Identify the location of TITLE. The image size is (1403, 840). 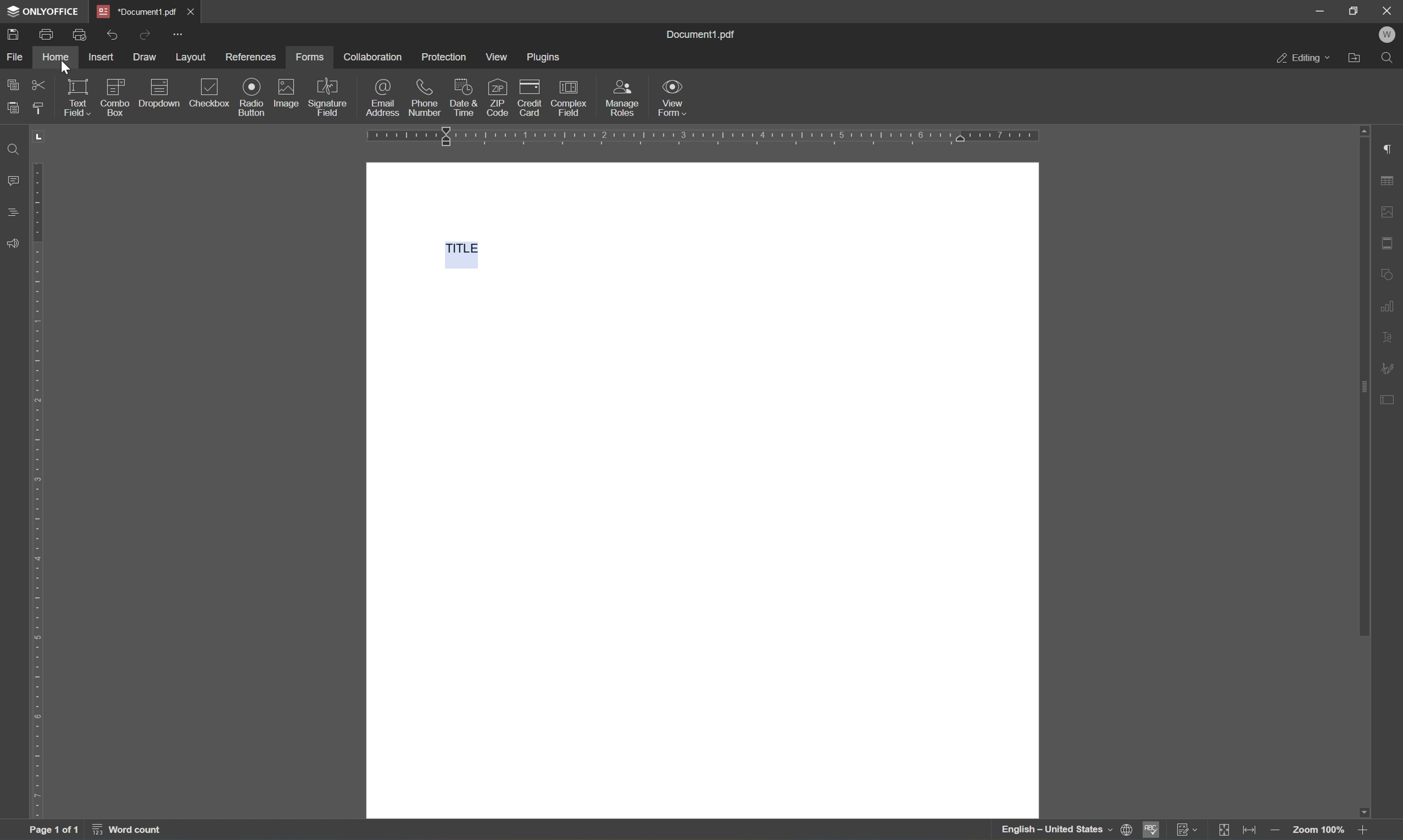
(458, 251).